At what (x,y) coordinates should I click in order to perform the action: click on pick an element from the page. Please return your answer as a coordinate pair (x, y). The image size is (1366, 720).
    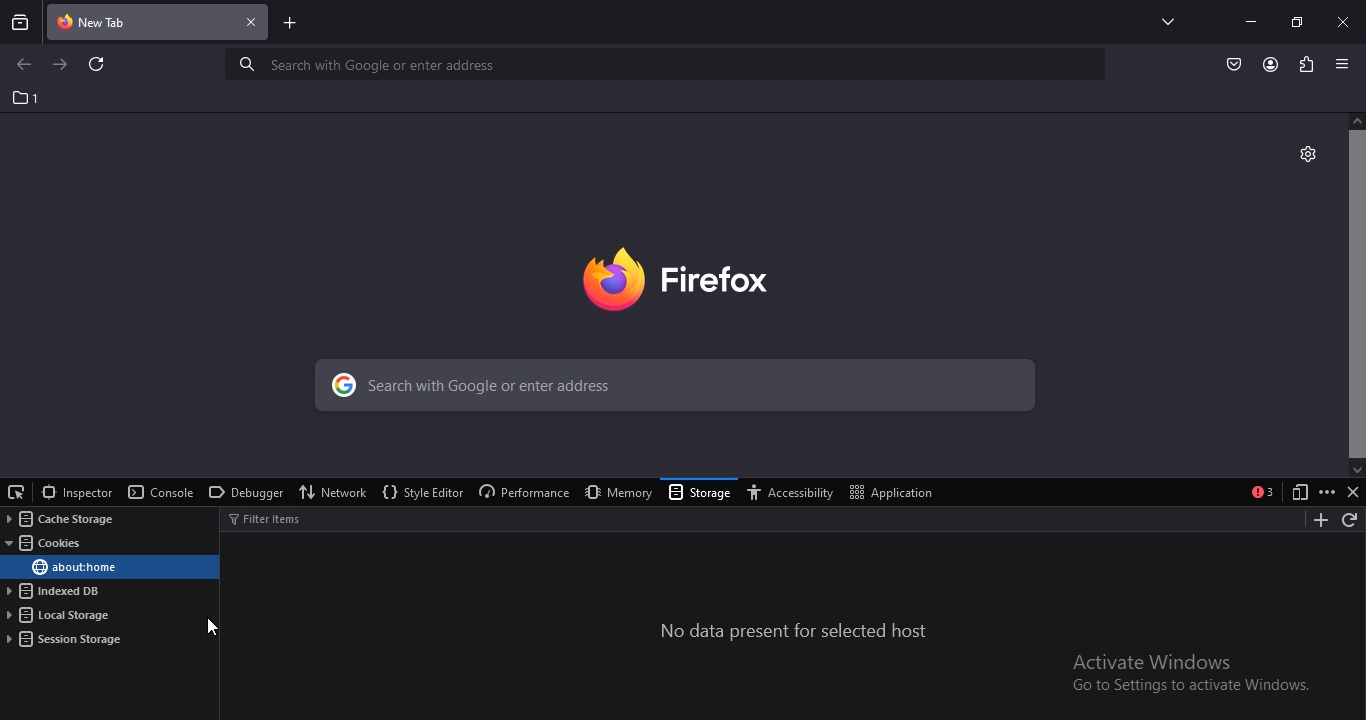
    Looking at the image, I should click on (17, 490).